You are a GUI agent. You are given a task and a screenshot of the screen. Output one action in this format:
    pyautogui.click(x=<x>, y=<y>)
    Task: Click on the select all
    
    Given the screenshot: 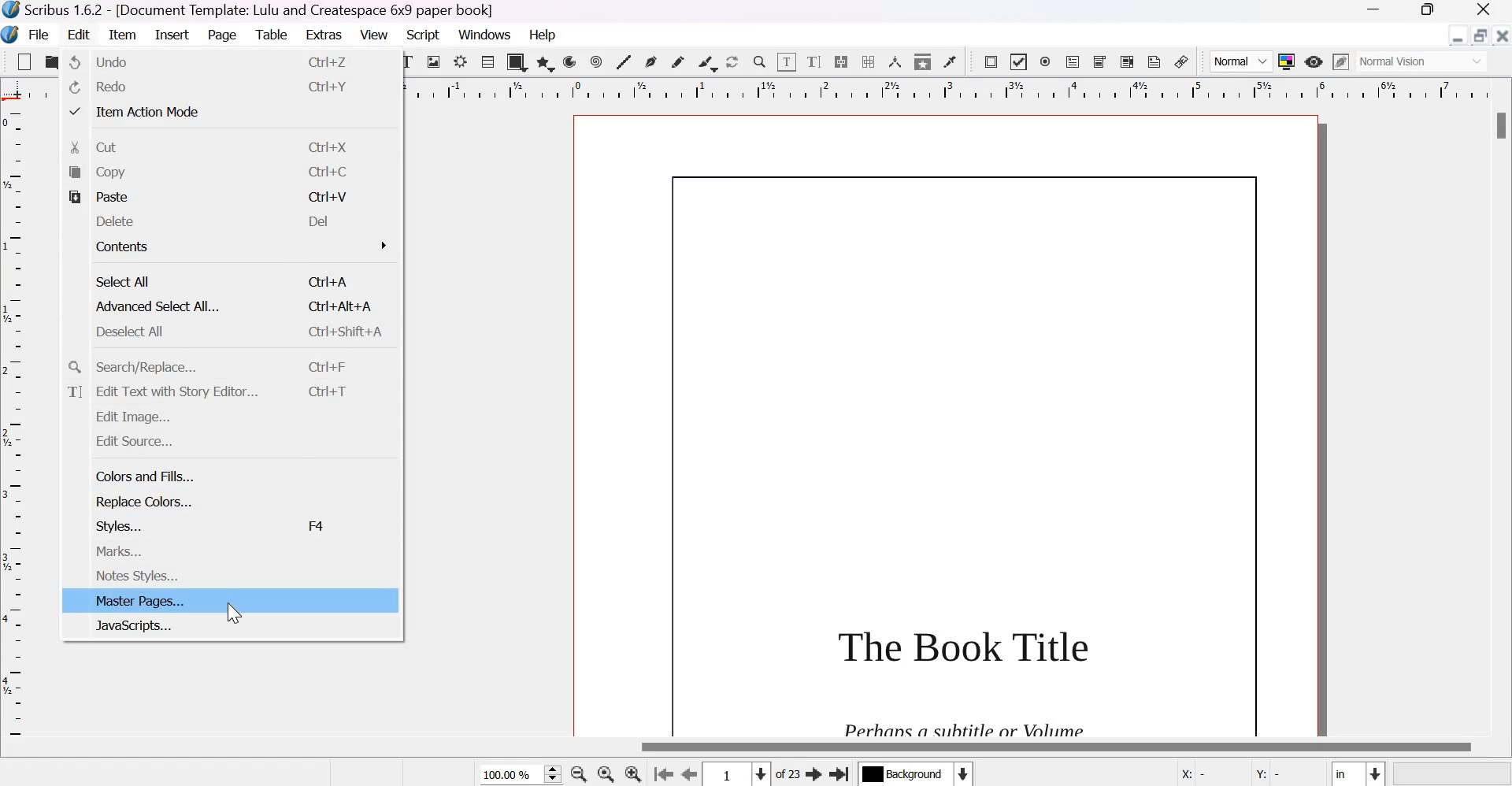 What is the action you would take?
    pyautogui.click(x=224, y=280)
    